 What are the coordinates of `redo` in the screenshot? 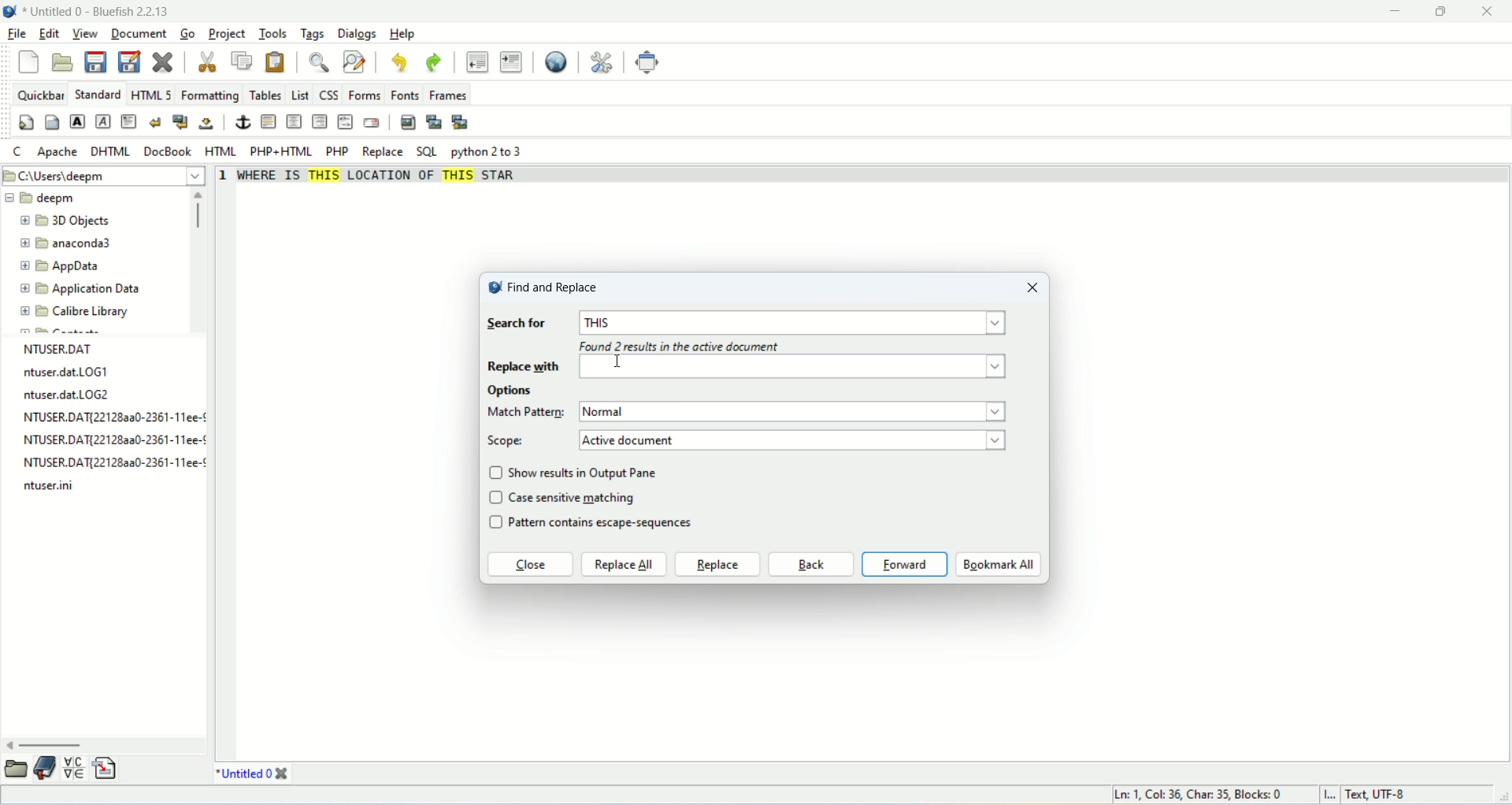 It's located at (434, 63).